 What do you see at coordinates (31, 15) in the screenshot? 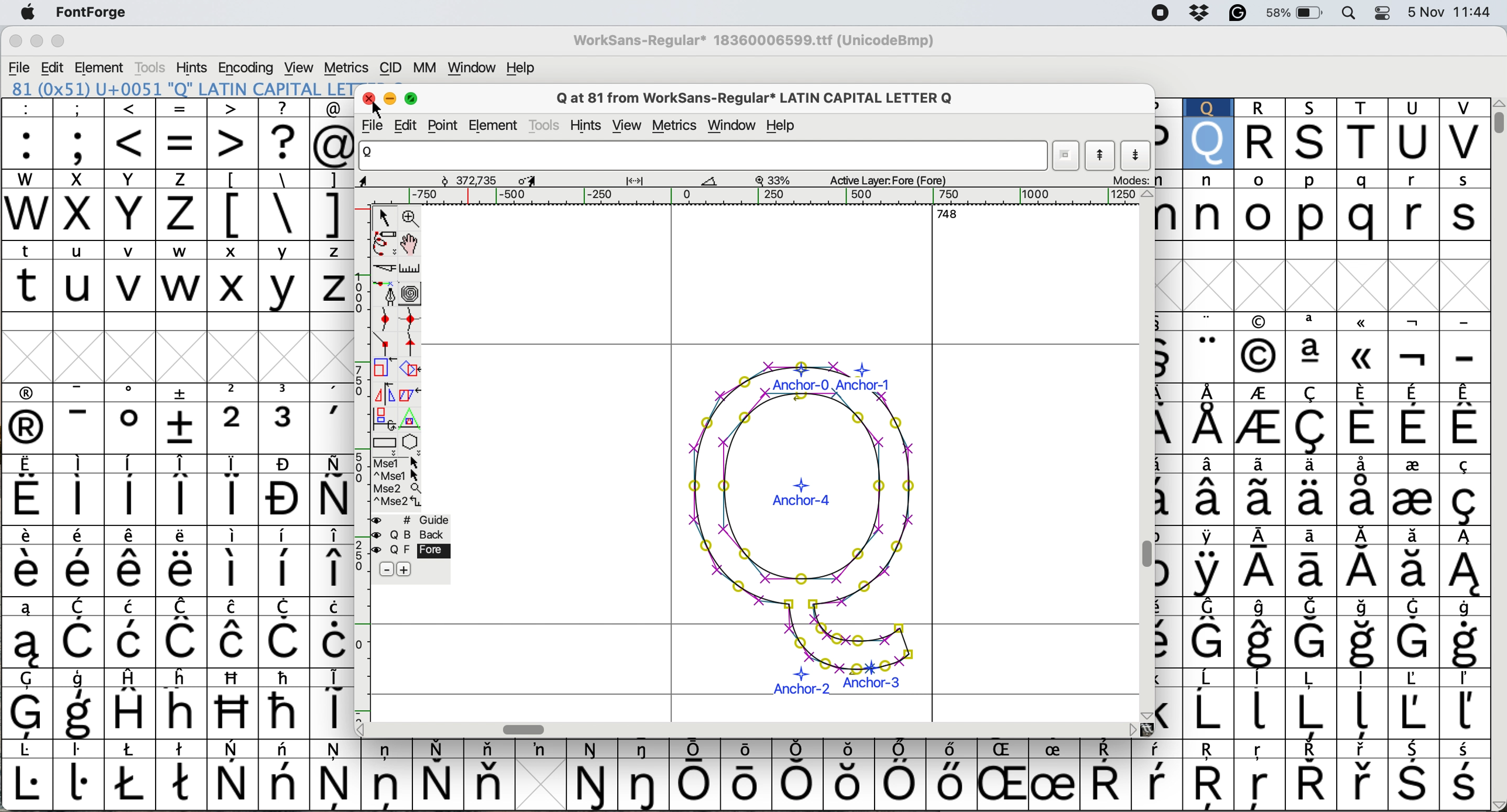
I see `system logo` at bounding box center [31, 15].